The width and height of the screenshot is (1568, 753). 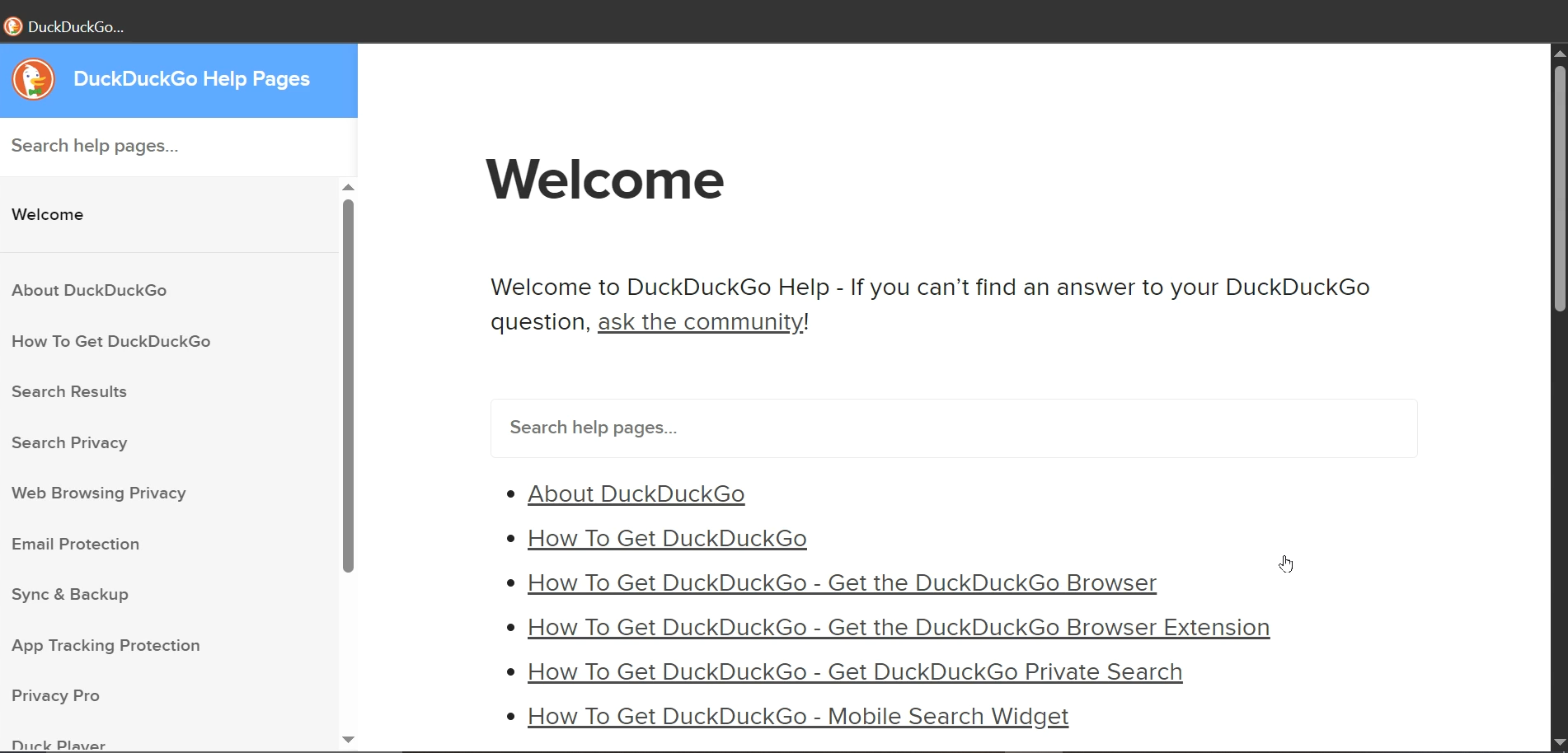 What do you see at coordinates (59, 743) in the screenshot?
I see `Duck Player` at bounding box center [59, 743].